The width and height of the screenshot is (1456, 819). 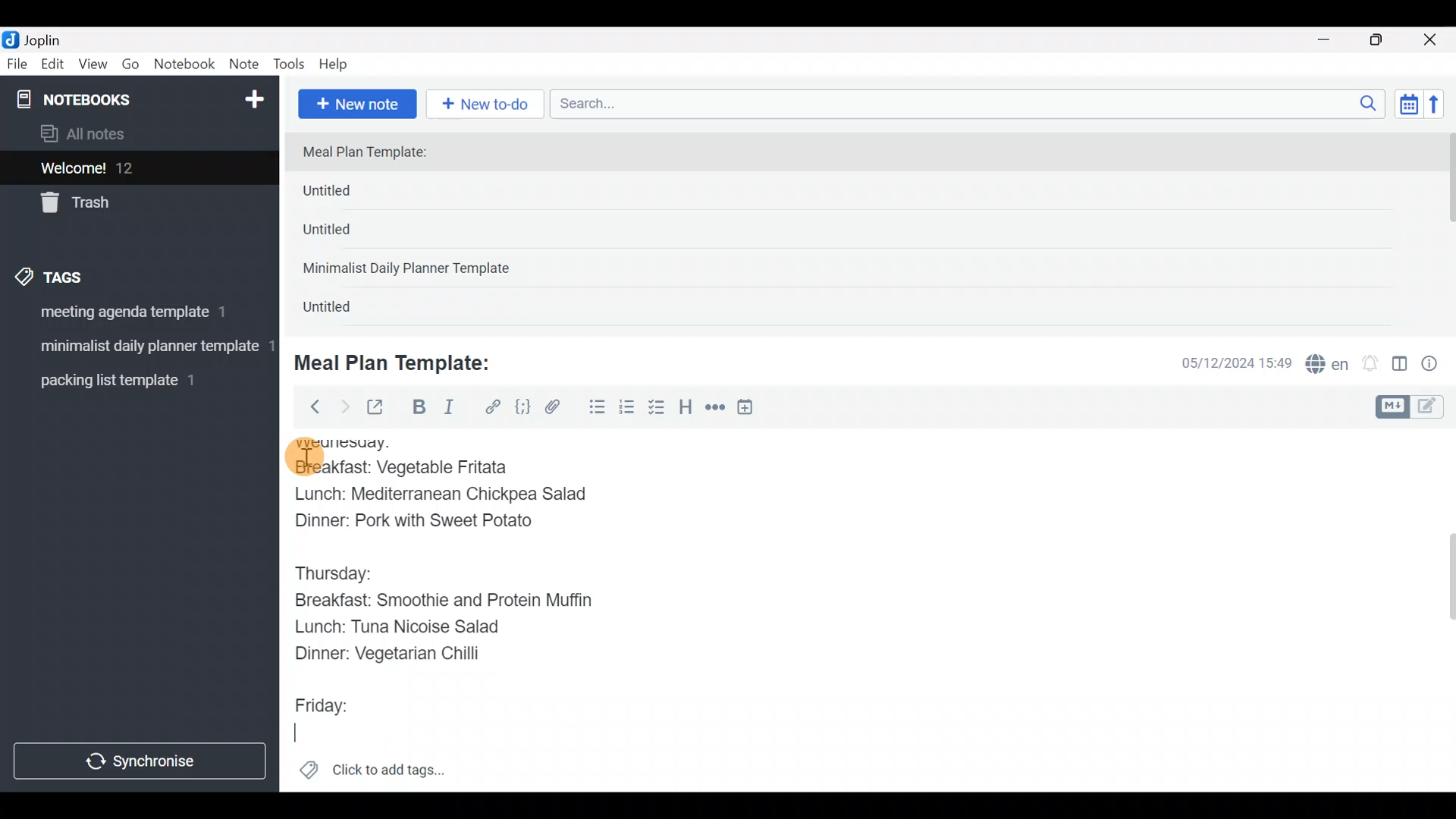 I want to click on Tag 1, so click(x=135, y=316).